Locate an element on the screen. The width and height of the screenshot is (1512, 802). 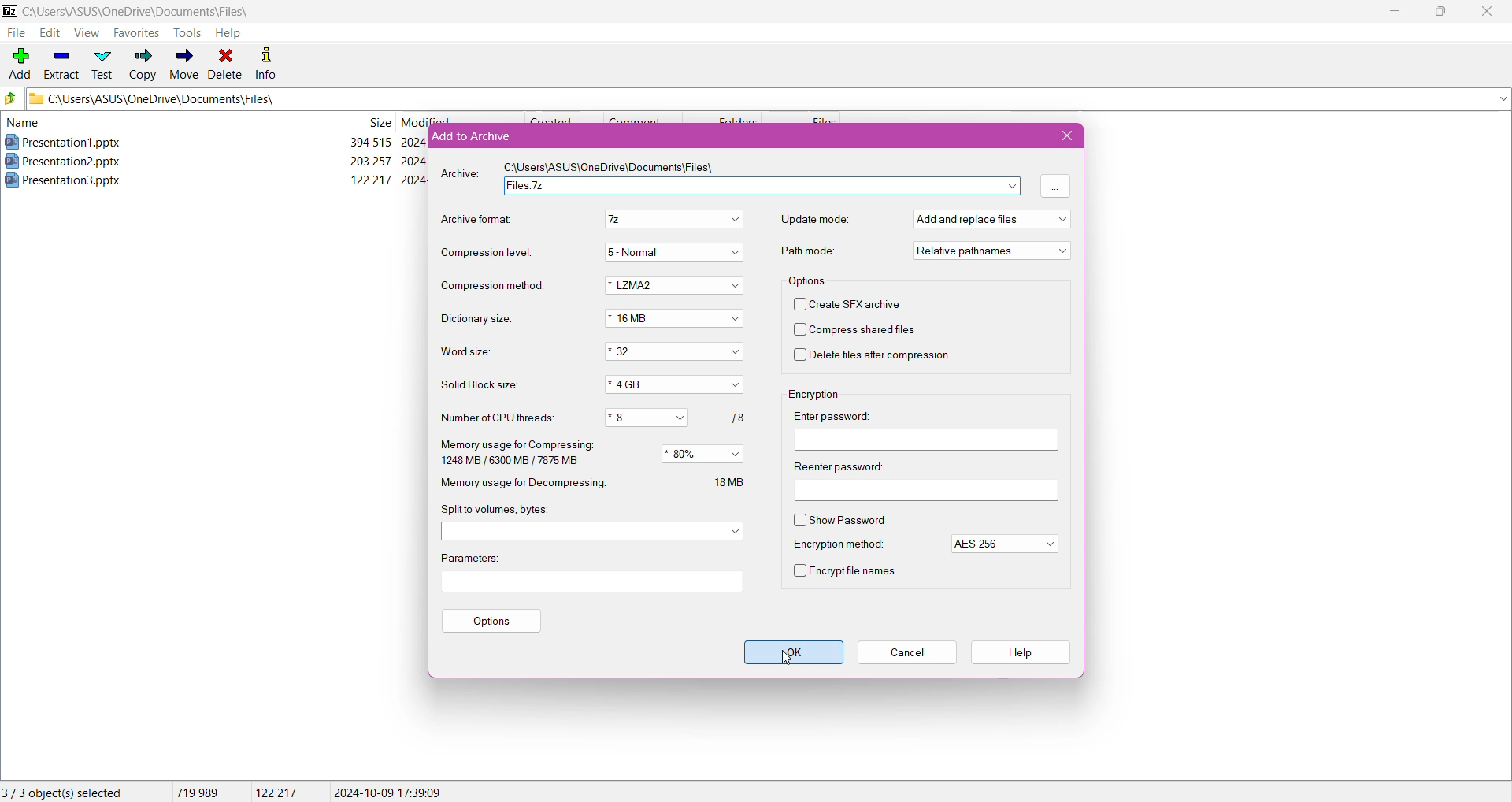
Set required encryption method from the list is located at coordinates (1004, 544).